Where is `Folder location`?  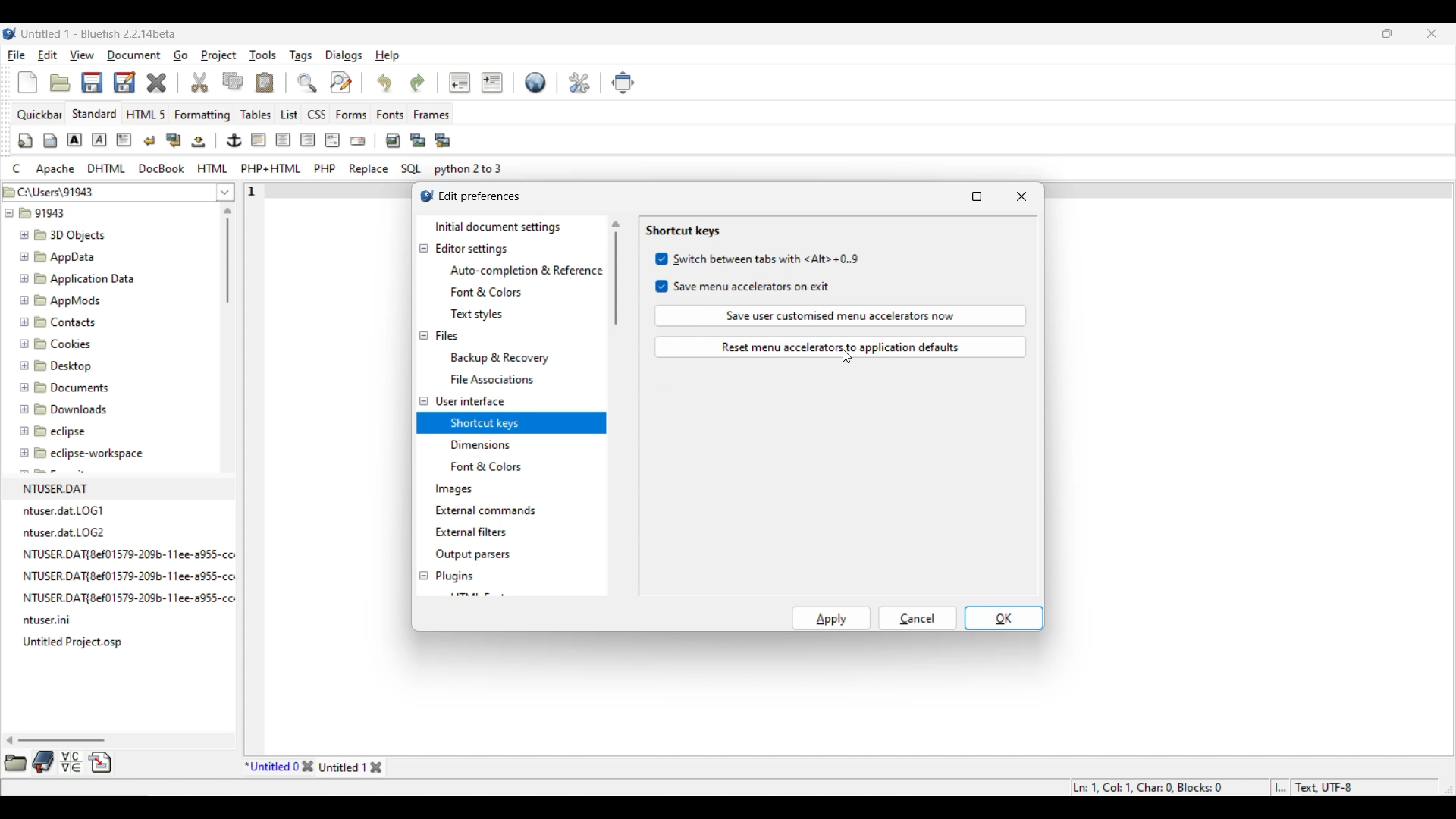
Folder location is located at coordinates (107, 189).